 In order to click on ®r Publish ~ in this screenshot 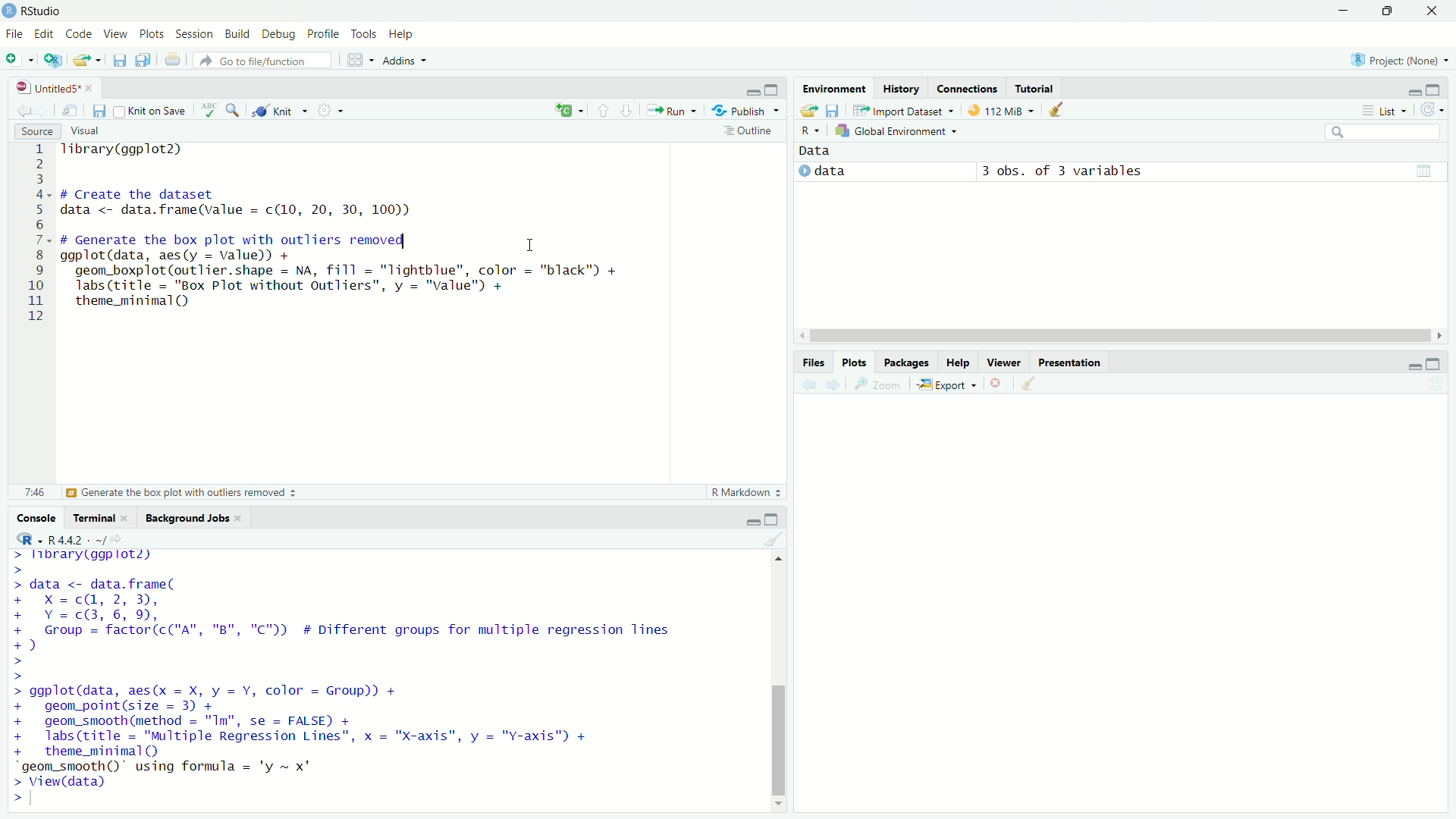, I will do `click(748, 111)`.